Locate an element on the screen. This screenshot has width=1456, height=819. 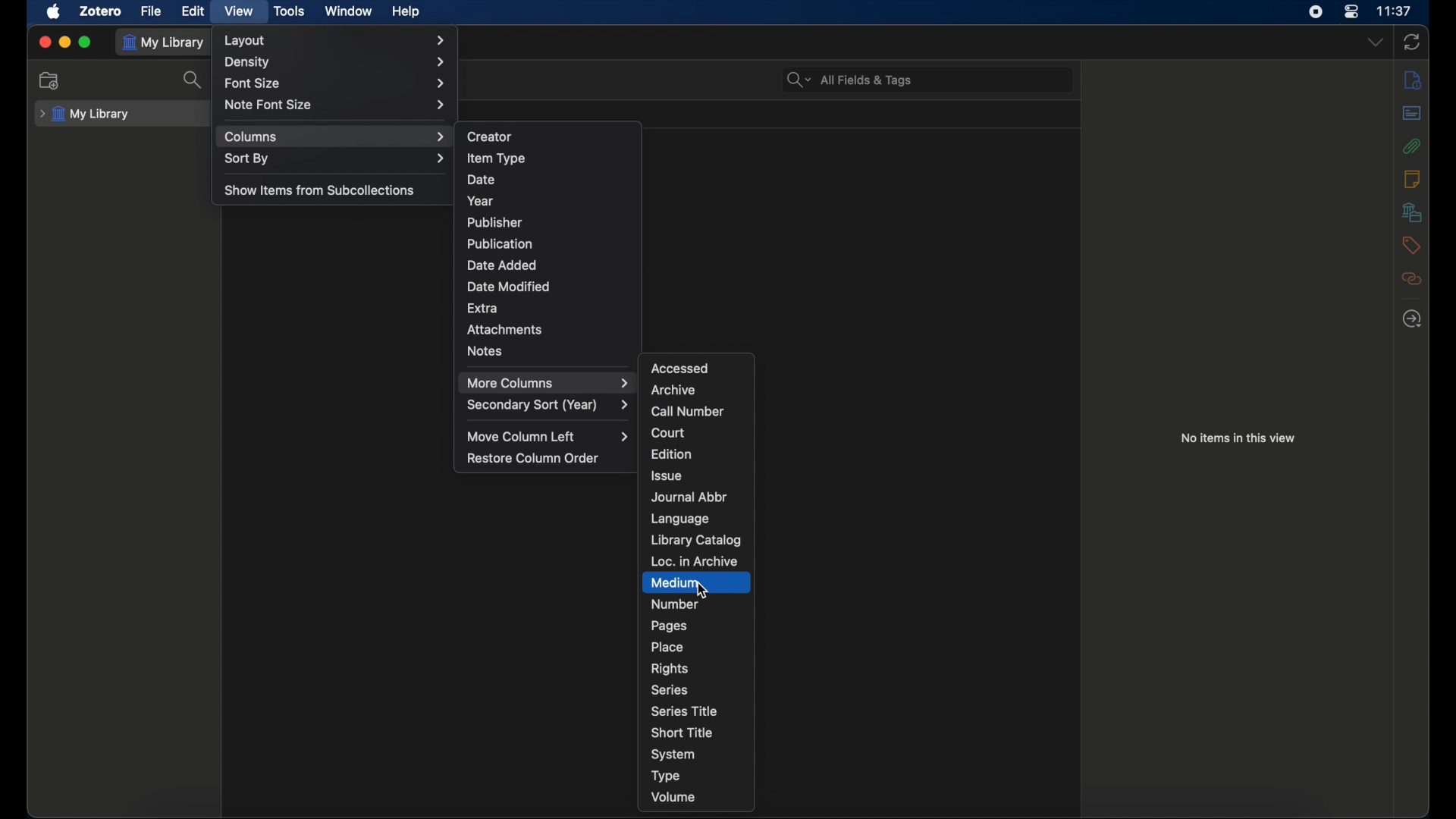
abstract is located at coordinates (1411, 112).